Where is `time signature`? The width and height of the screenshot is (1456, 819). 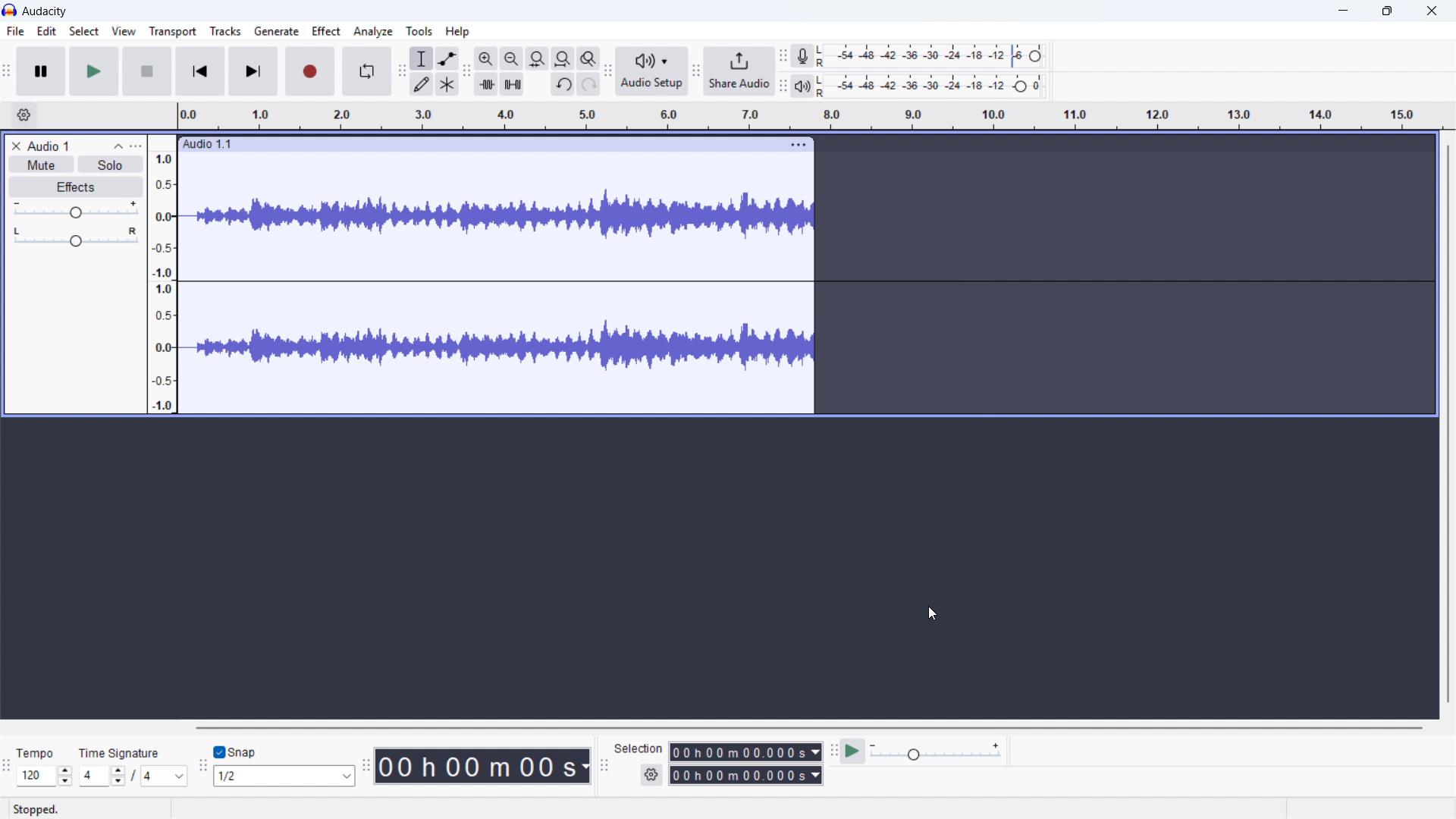 time signature is located at coordinates (120, 754).